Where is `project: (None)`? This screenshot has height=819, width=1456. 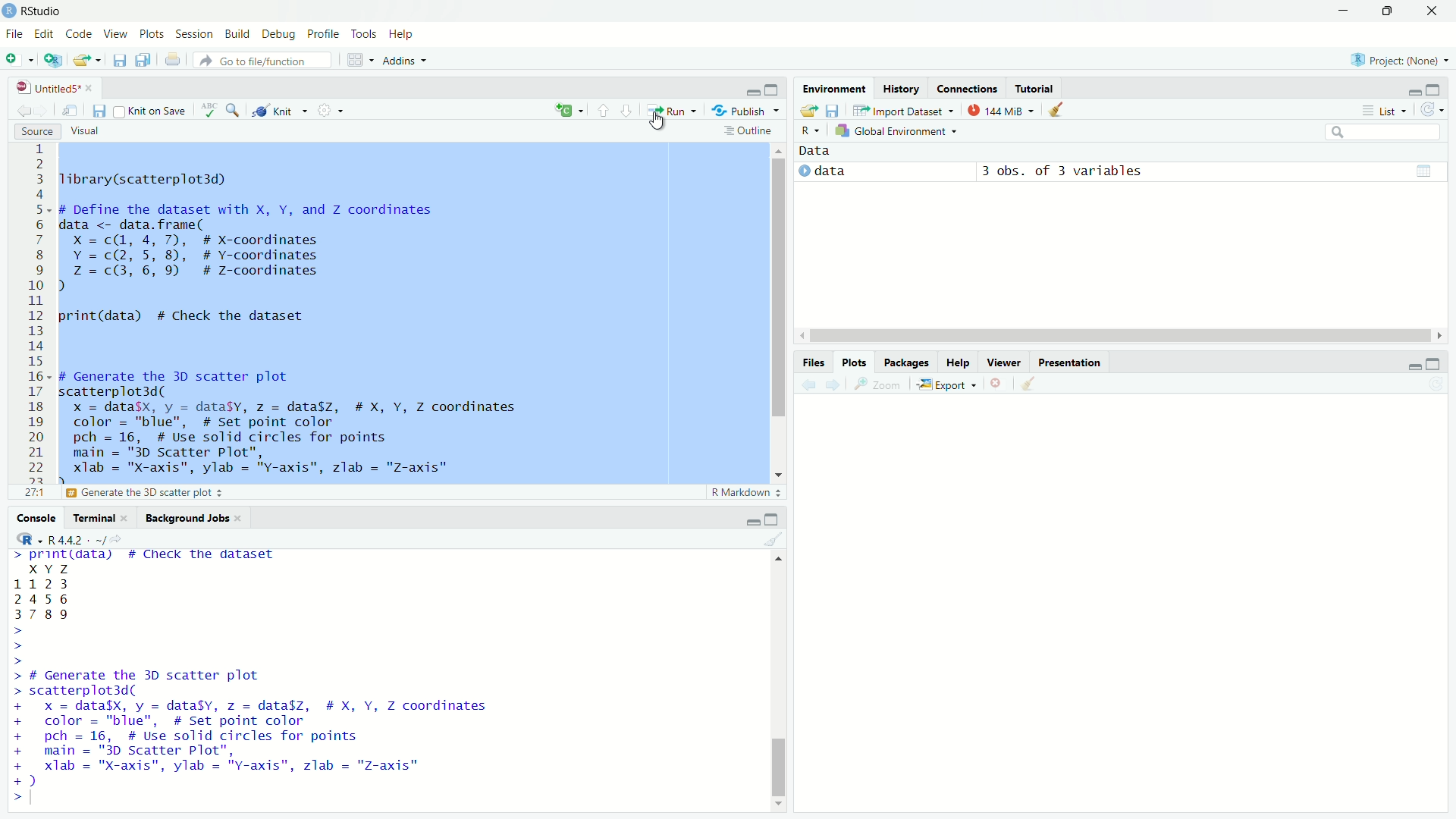 project: (None) is located at coordinates (1403, 60).